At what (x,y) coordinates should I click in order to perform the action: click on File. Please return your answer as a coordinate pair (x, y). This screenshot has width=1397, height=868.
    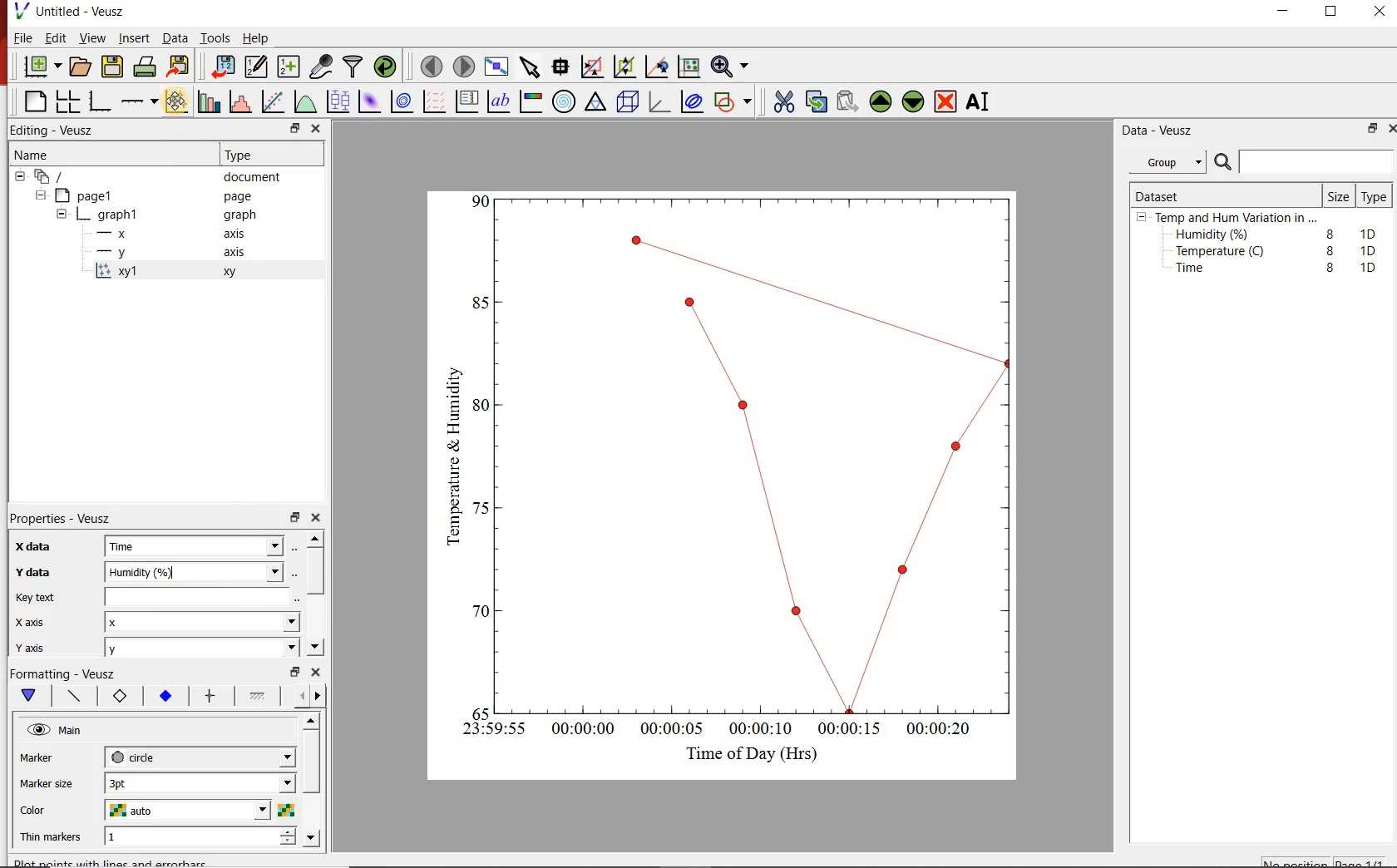
    Looking at the image, I should click on (19, 37).